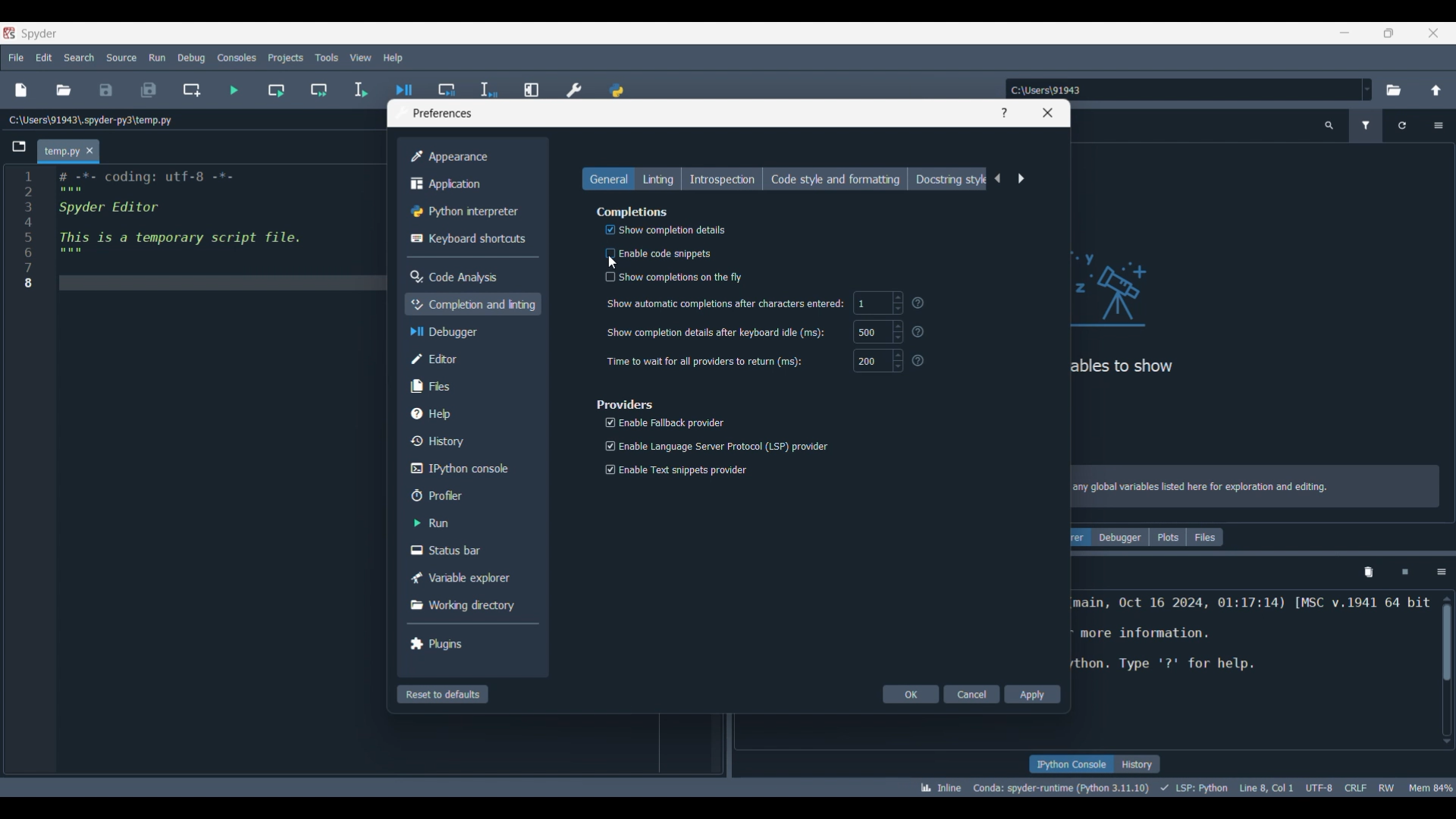 The image size is (1456, 819). Describe the element at coordinates (319, 90) in the screenshot. I see `Run current cell and go to next` at that location.